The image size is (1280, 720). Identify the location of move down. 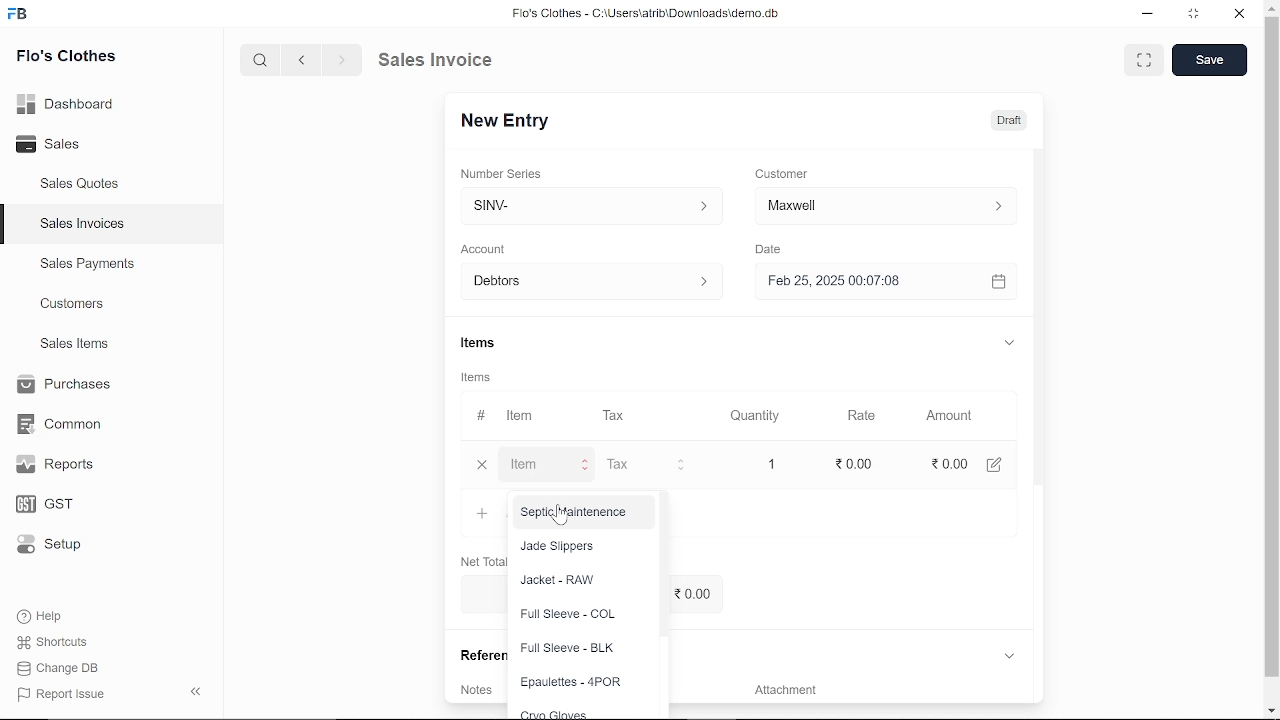
(1271, 710).